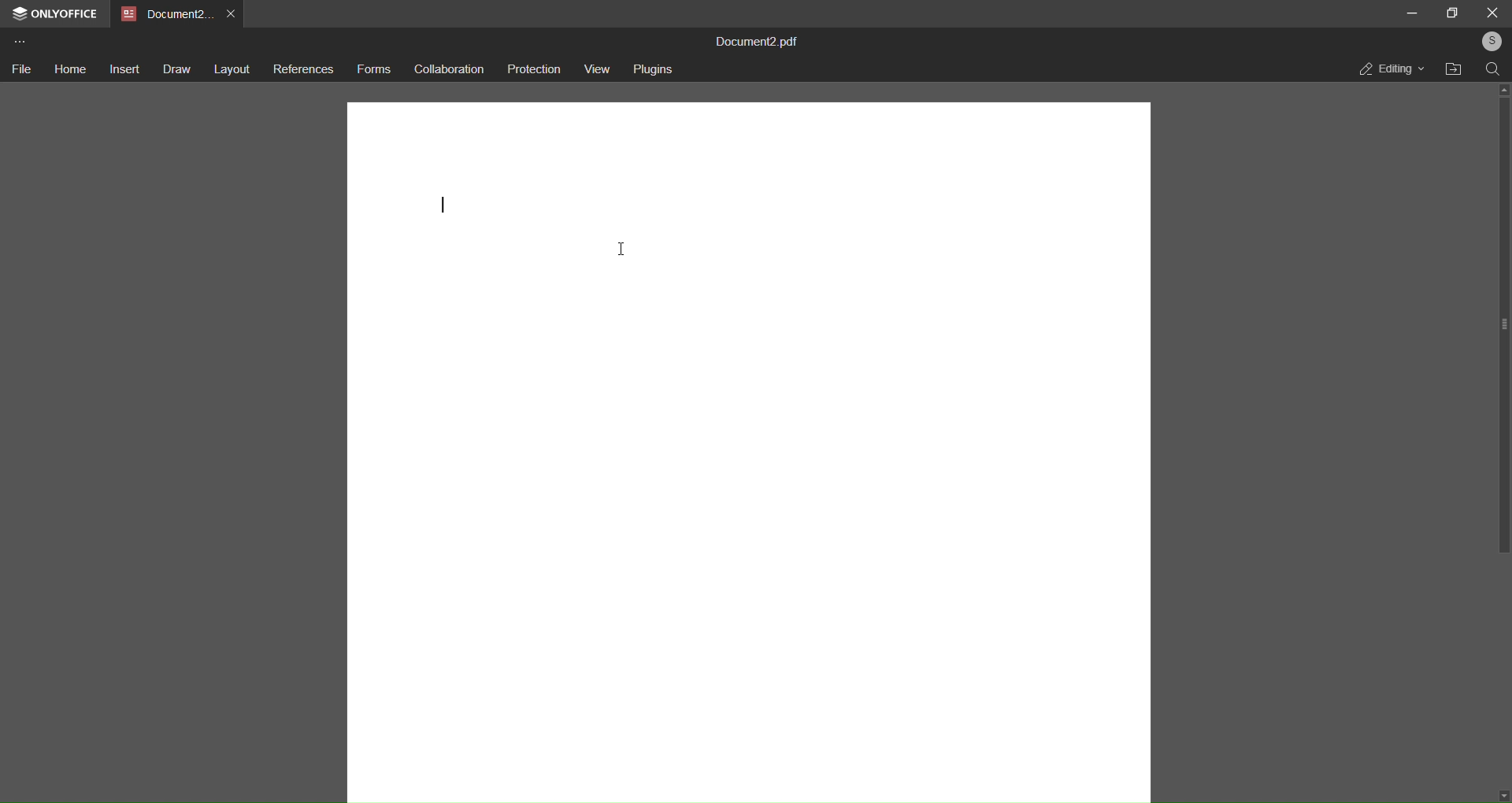 The image size is (1512, 803). Describe the element at coordinates (122, 68) in the screenshot. I see `insert` at that location.